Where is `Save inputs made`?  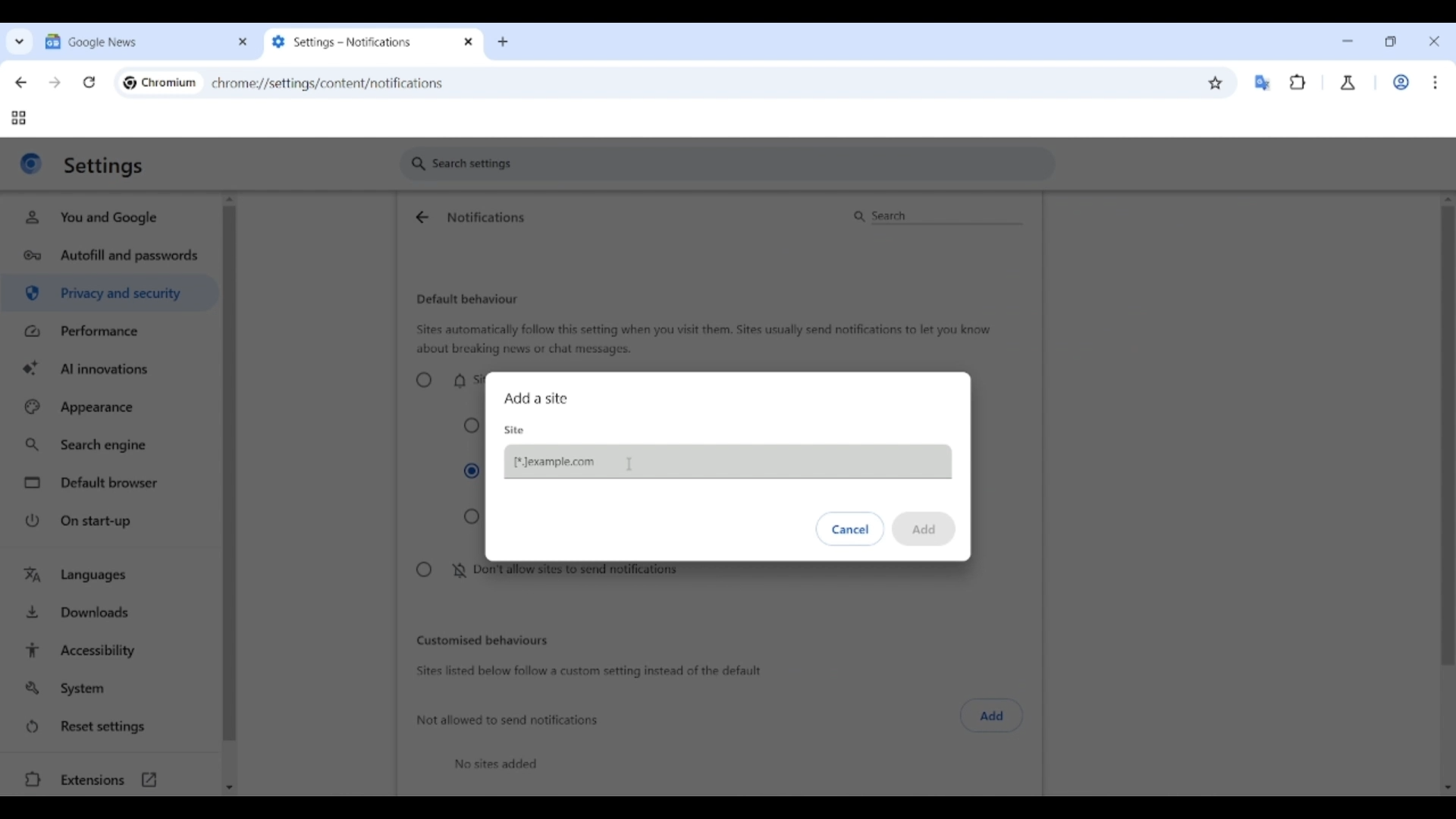
Save inputs made is located at coordinates (923, 529).